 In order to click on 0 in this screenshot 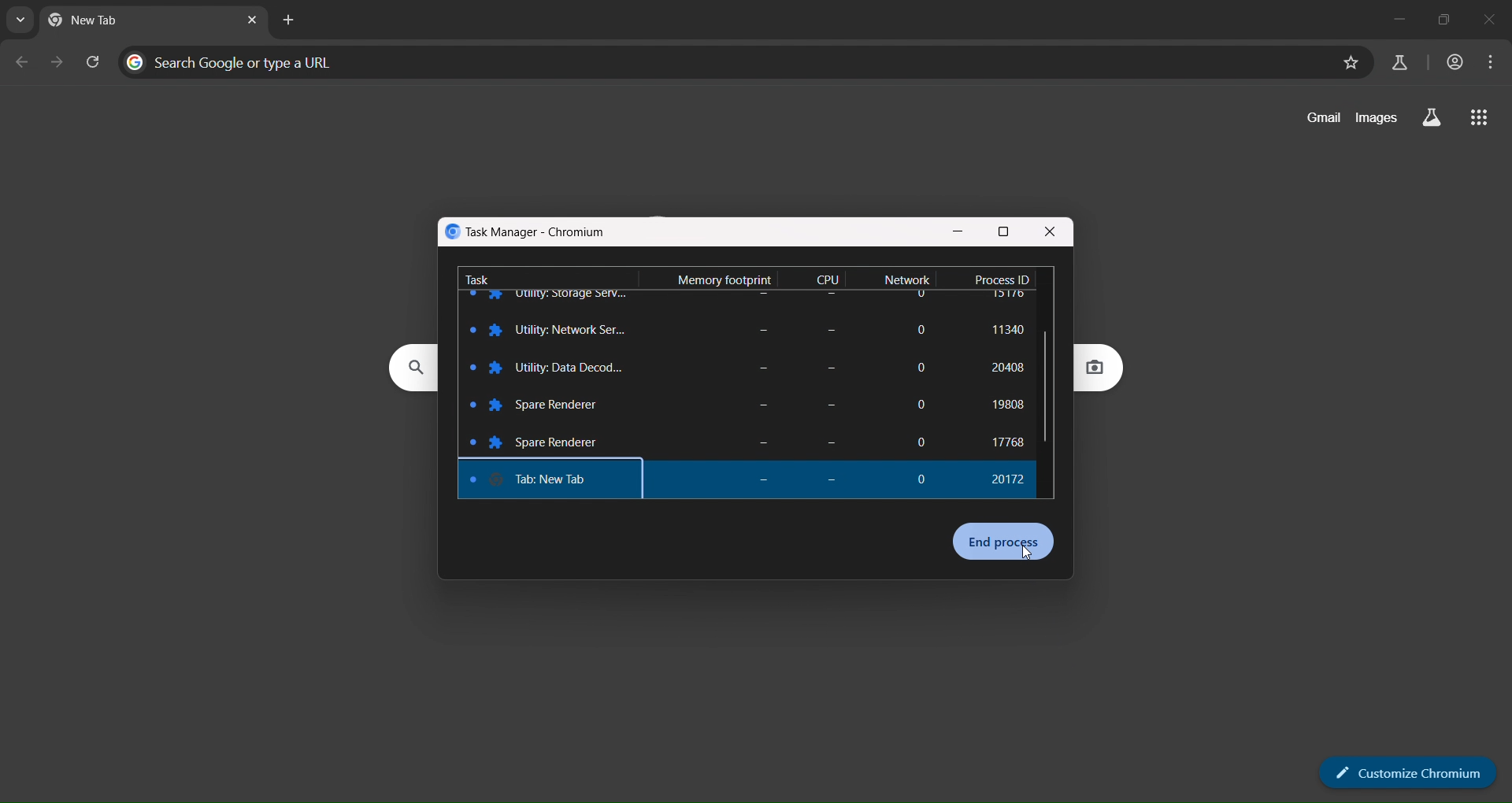, I will do `click(924, 474)`.